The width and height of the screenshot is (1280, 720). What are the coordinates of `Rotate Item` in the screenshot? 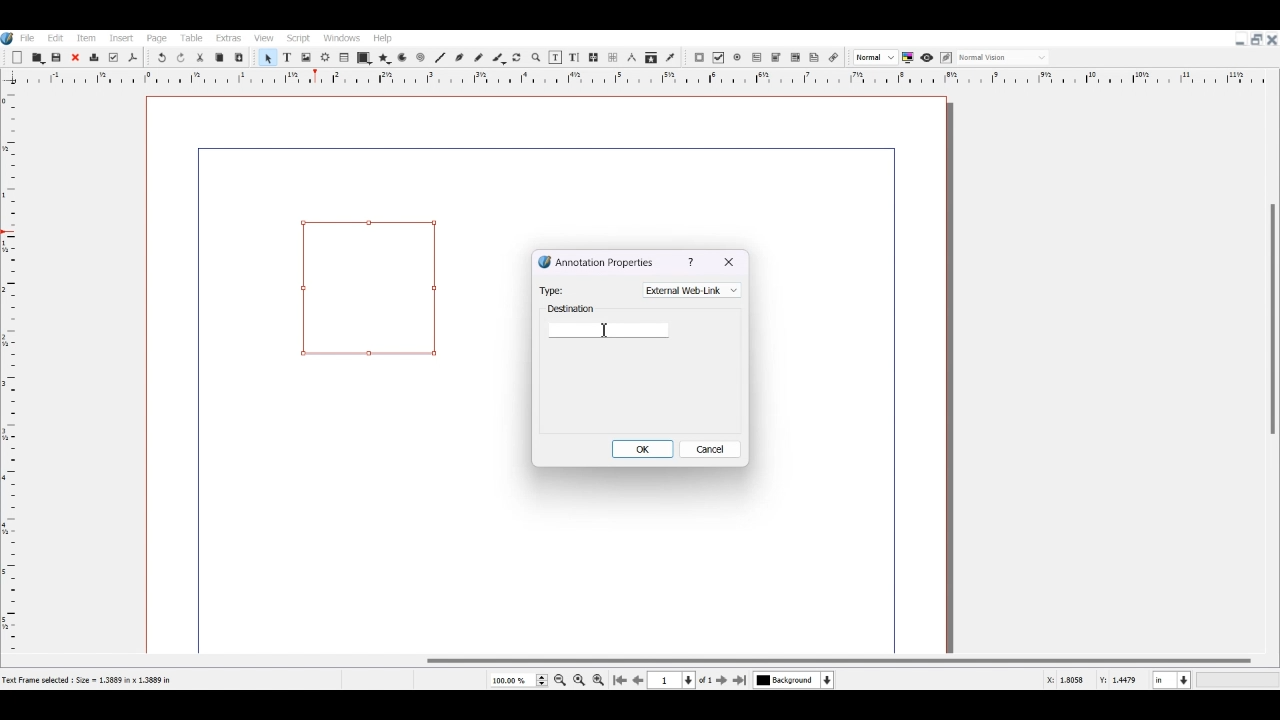 It's located at (518, 58).